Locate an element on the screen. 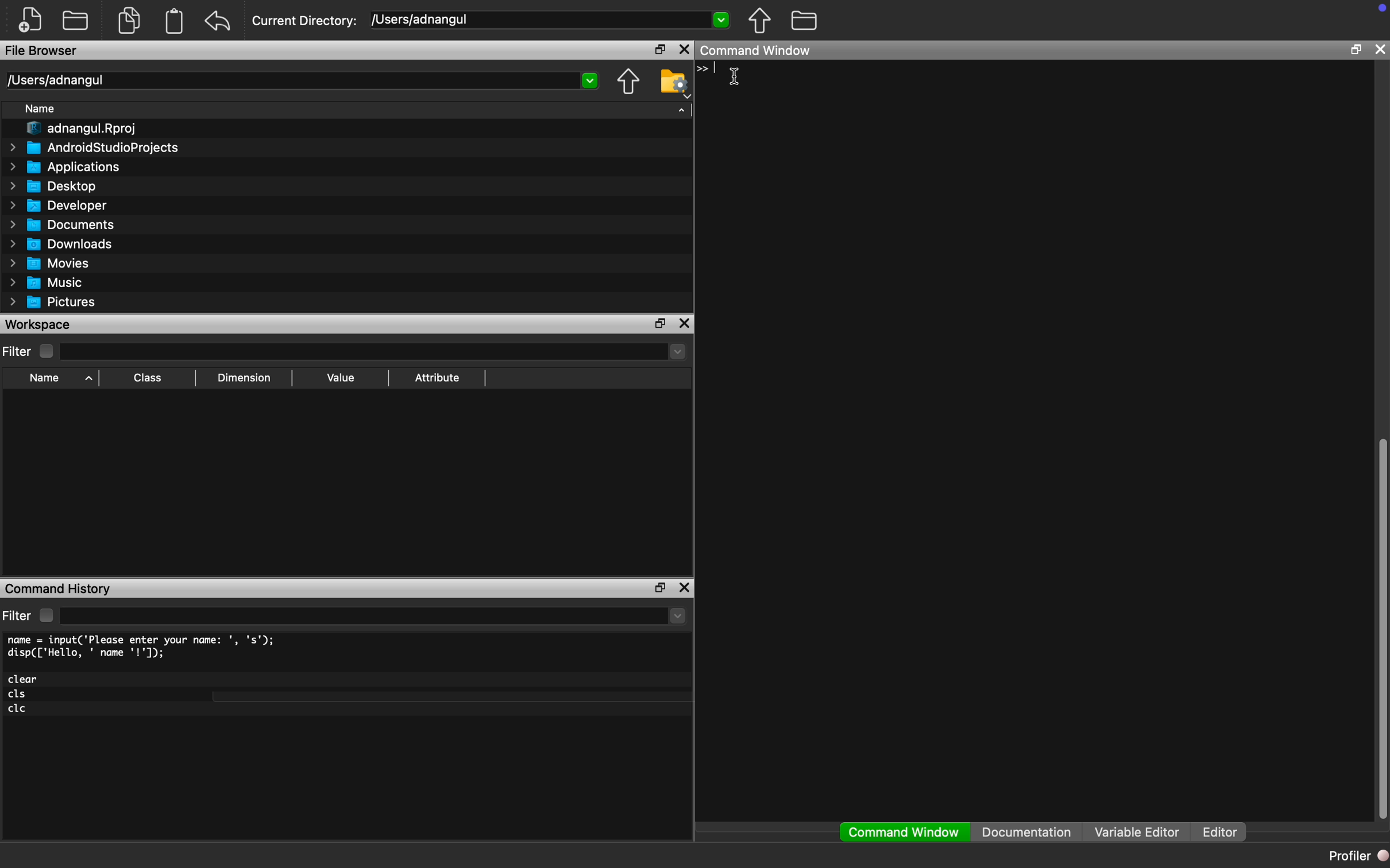 The image size is (1390, 868). clipboard is located at coordinates (175, 21).